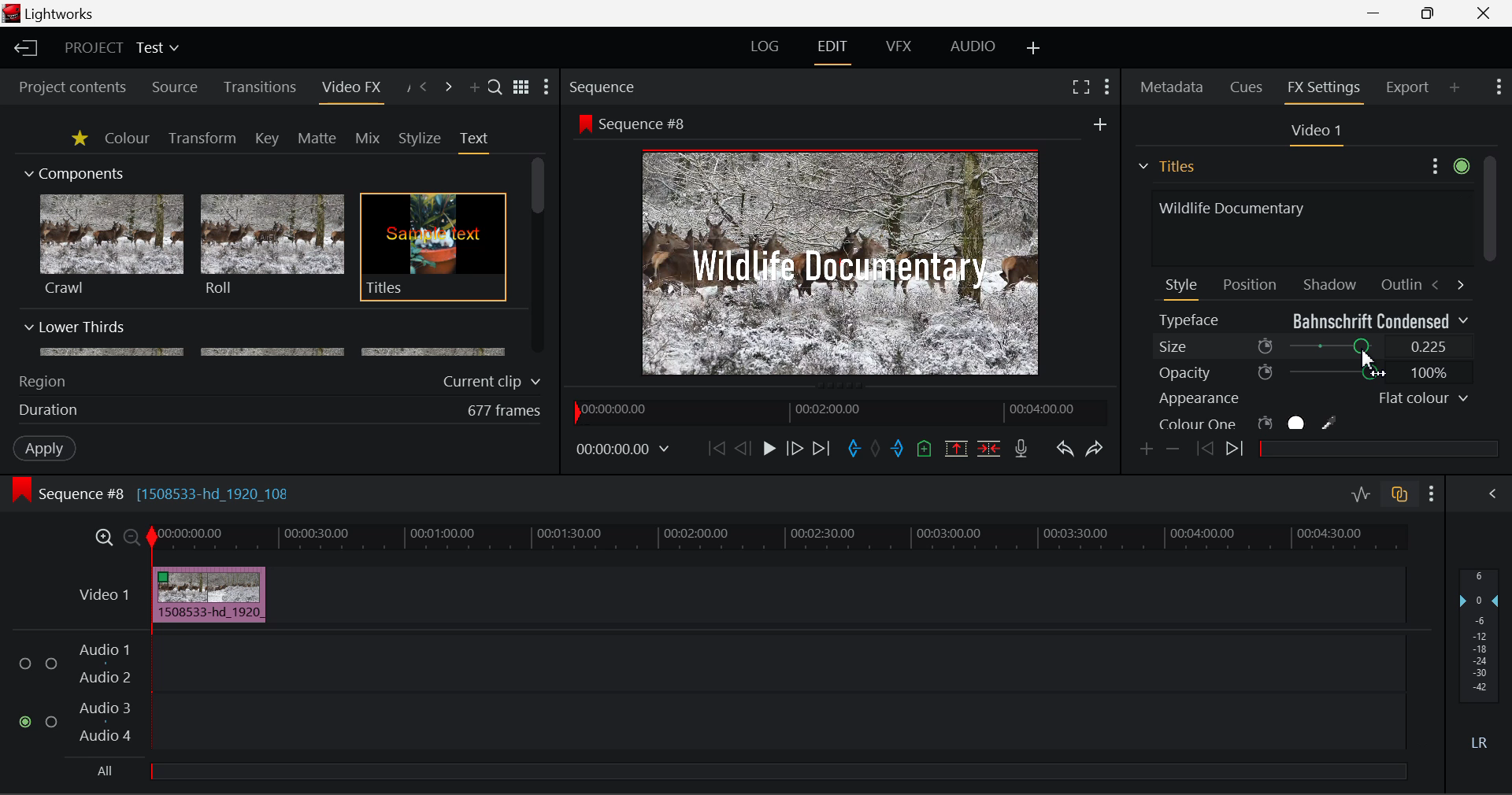  Describe the element at coordinates (450, 88) in the screenshot. I see `Next Panel` at that location.